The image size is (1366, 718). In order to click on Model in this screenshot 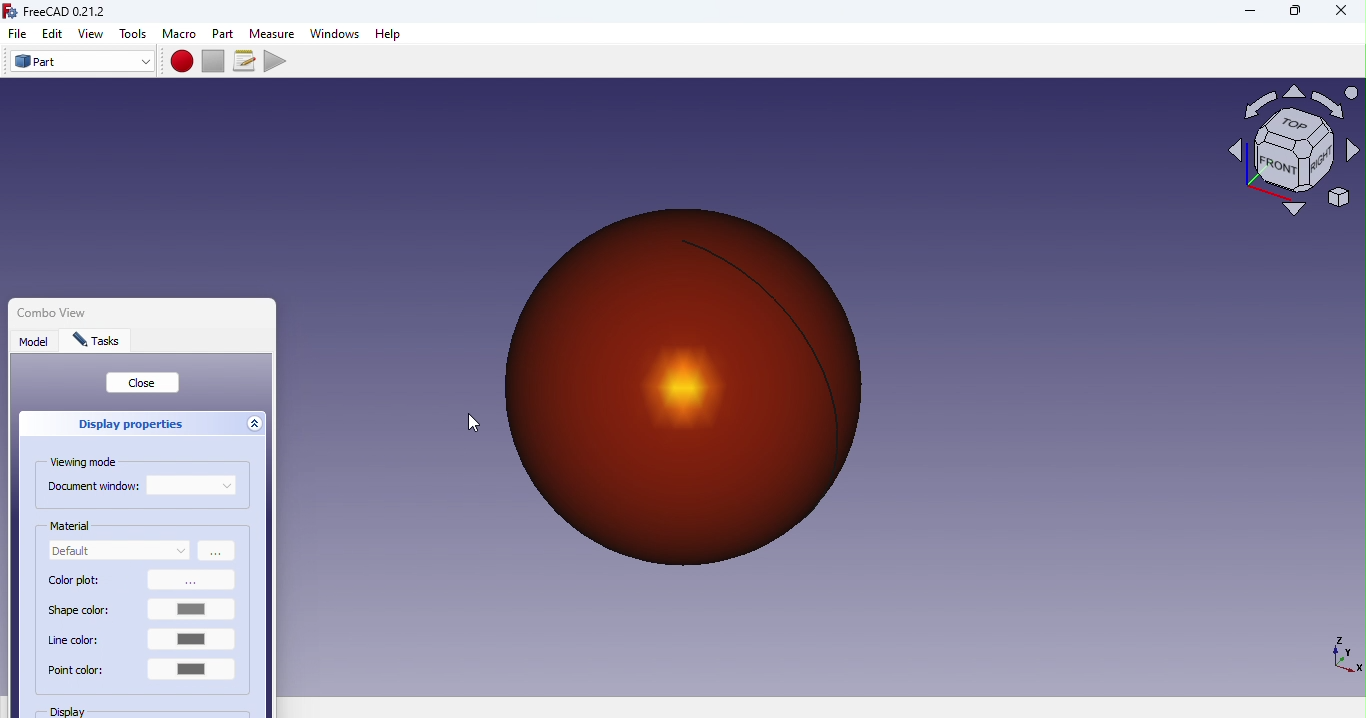, I will do `click(35, 344)`.